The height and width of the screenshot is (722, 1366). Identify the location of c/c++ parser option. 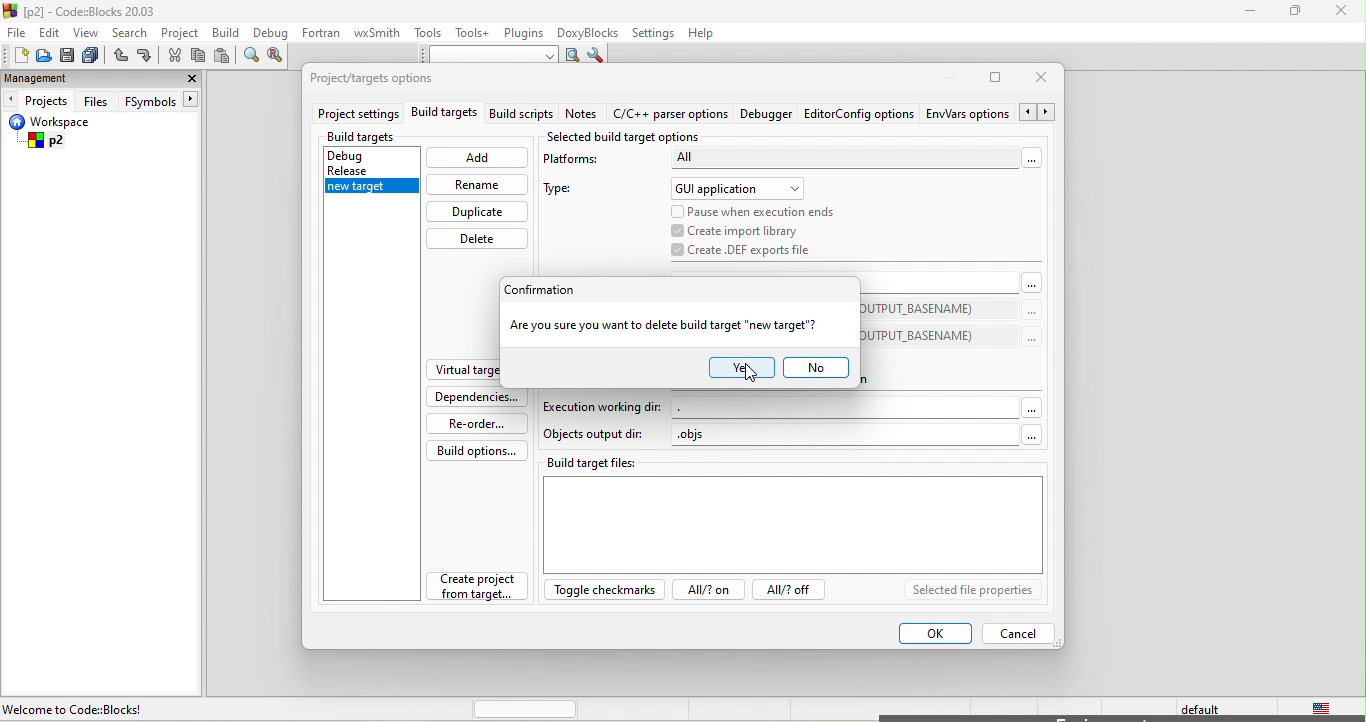
(670, 115).